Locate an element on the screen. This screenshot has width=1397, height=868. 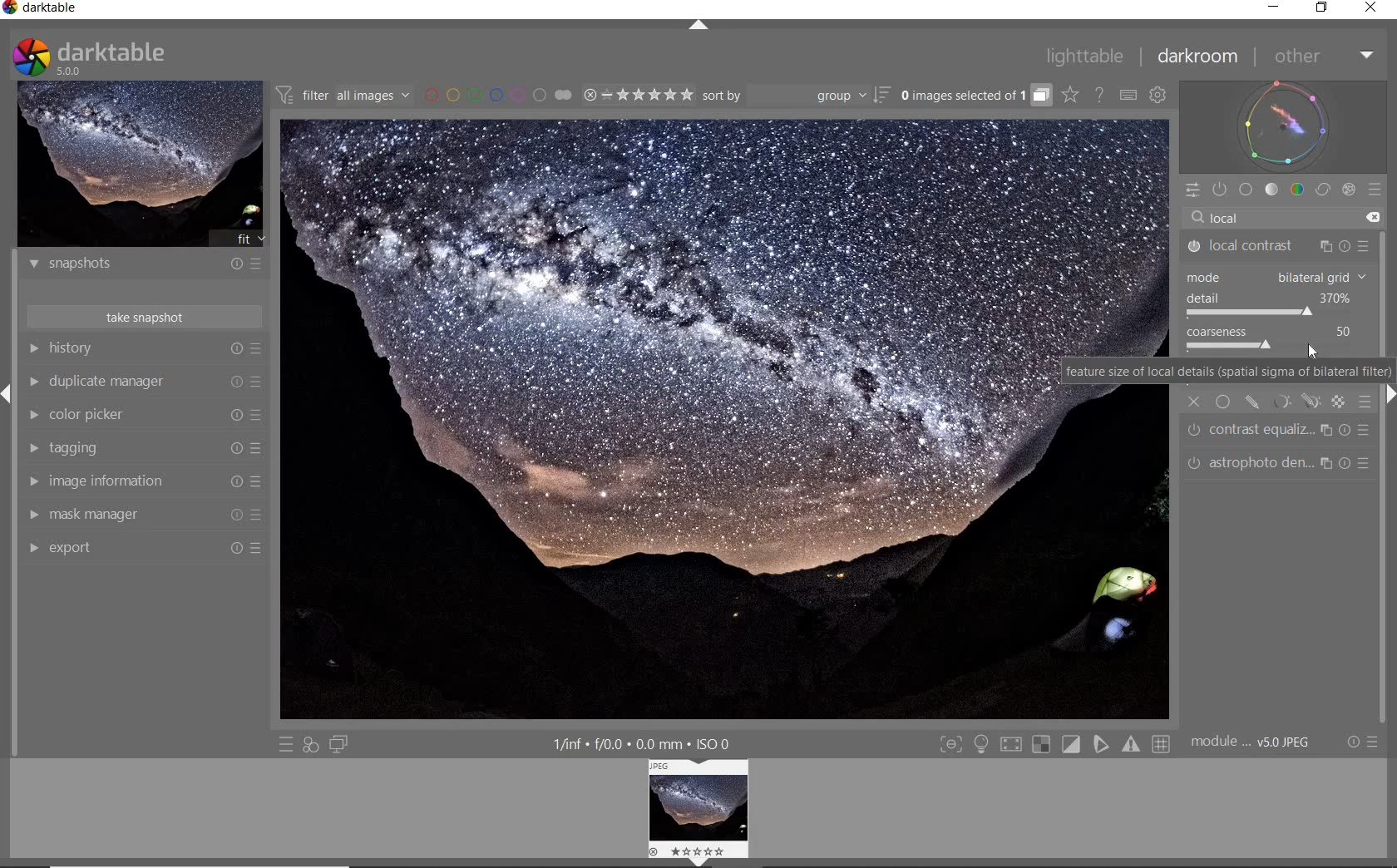
SET KEYBOARD SHORTCUTS is located at coordinates (1128, 96).